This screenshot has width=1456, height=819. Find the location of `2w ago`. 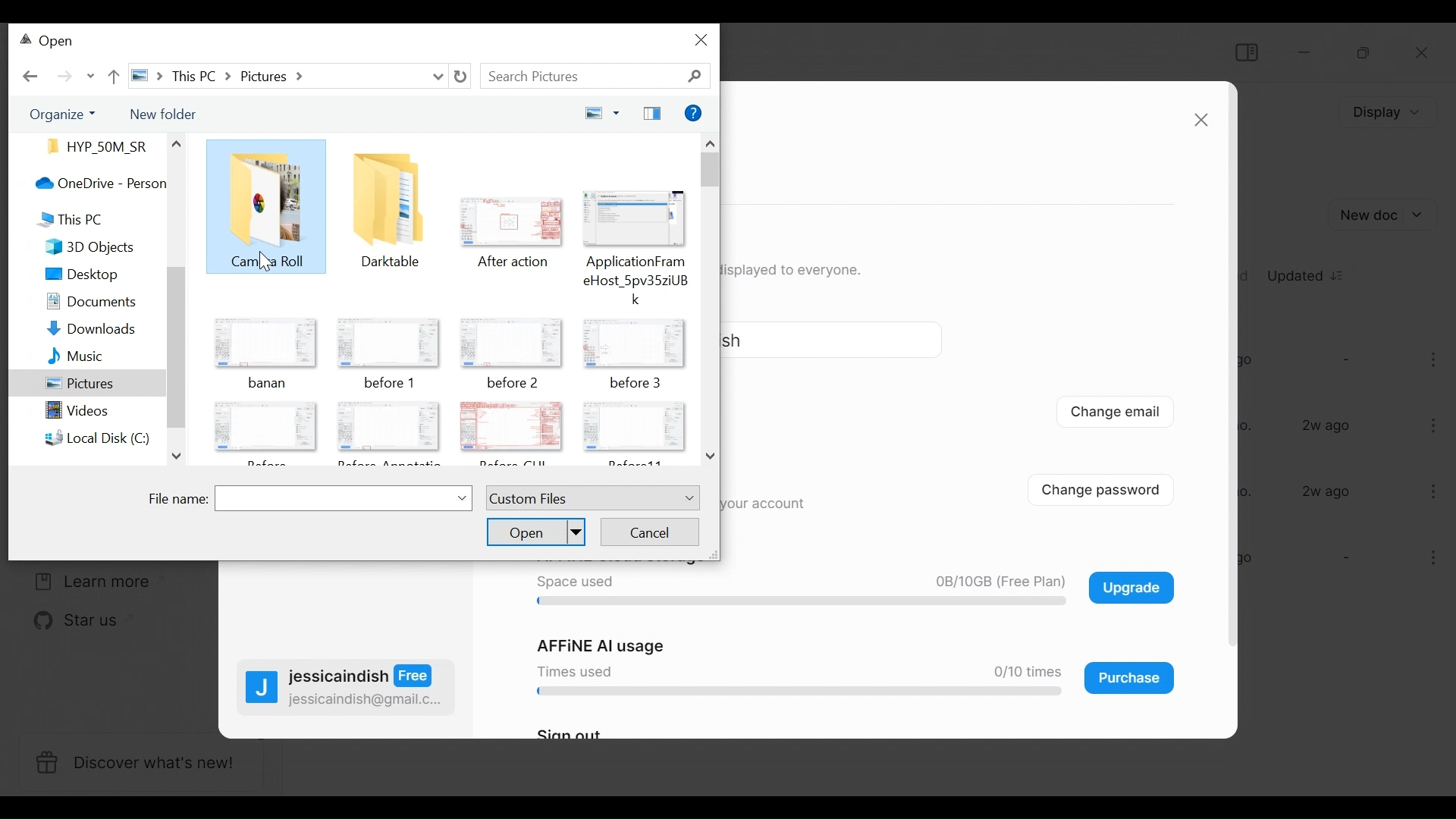

2w ago is located at coordinates (1327, 491).